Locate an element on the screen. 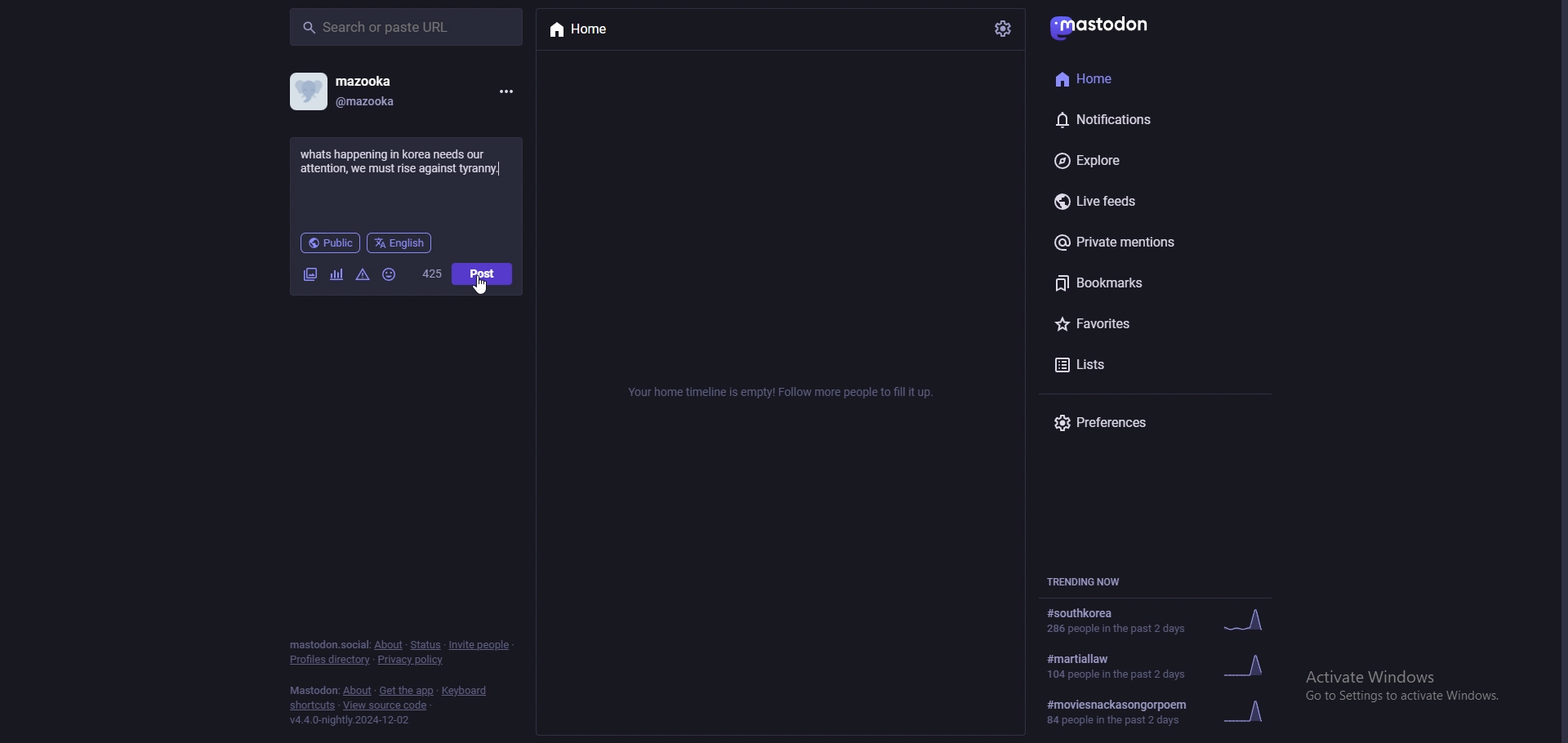 The height and width of the screenshot is (743, 1568). home is located at coordinates (613, 30).